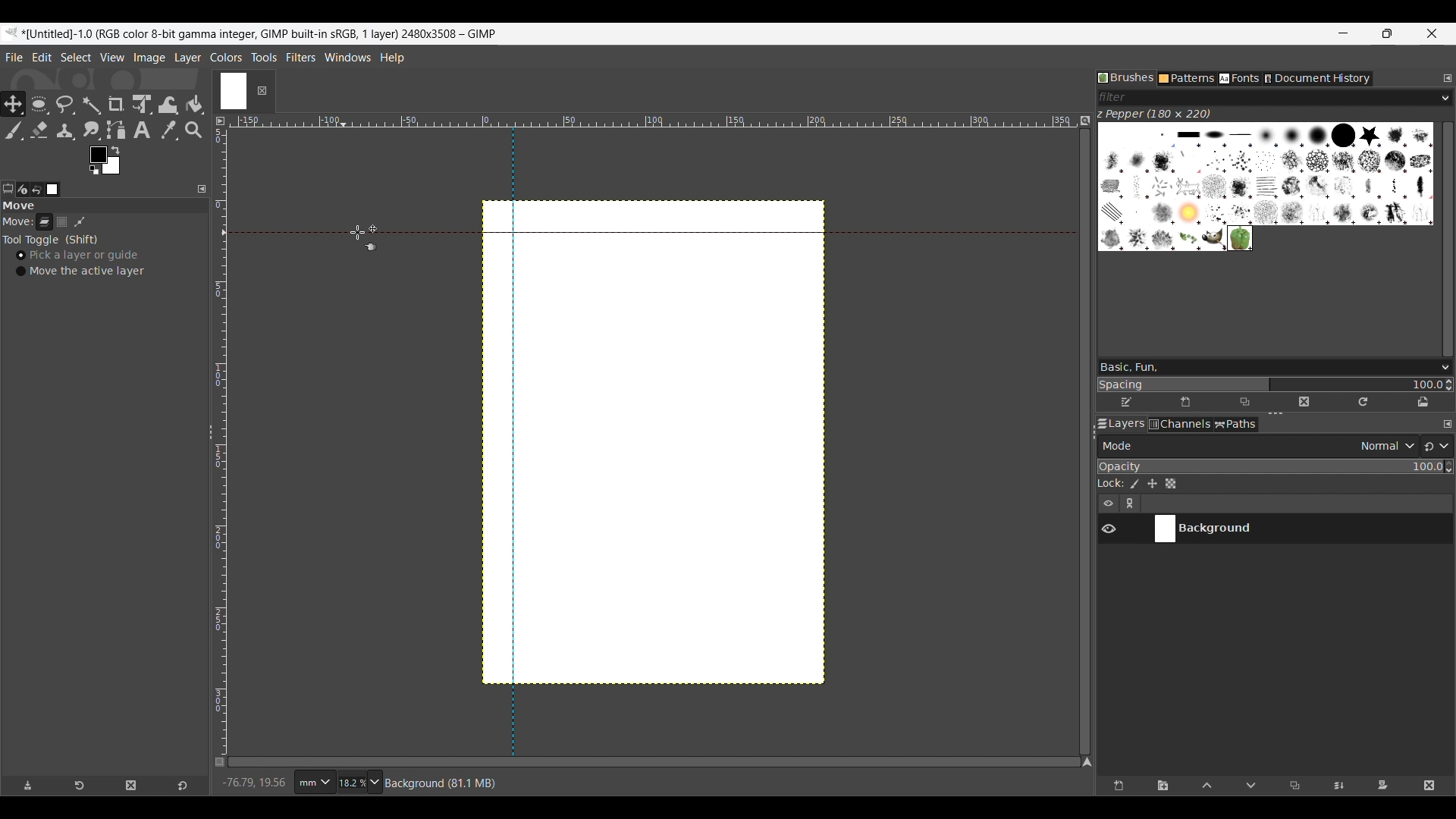 This screenshot has height=819, width=1456. I want to click on Layer menu, so click(187, 58).